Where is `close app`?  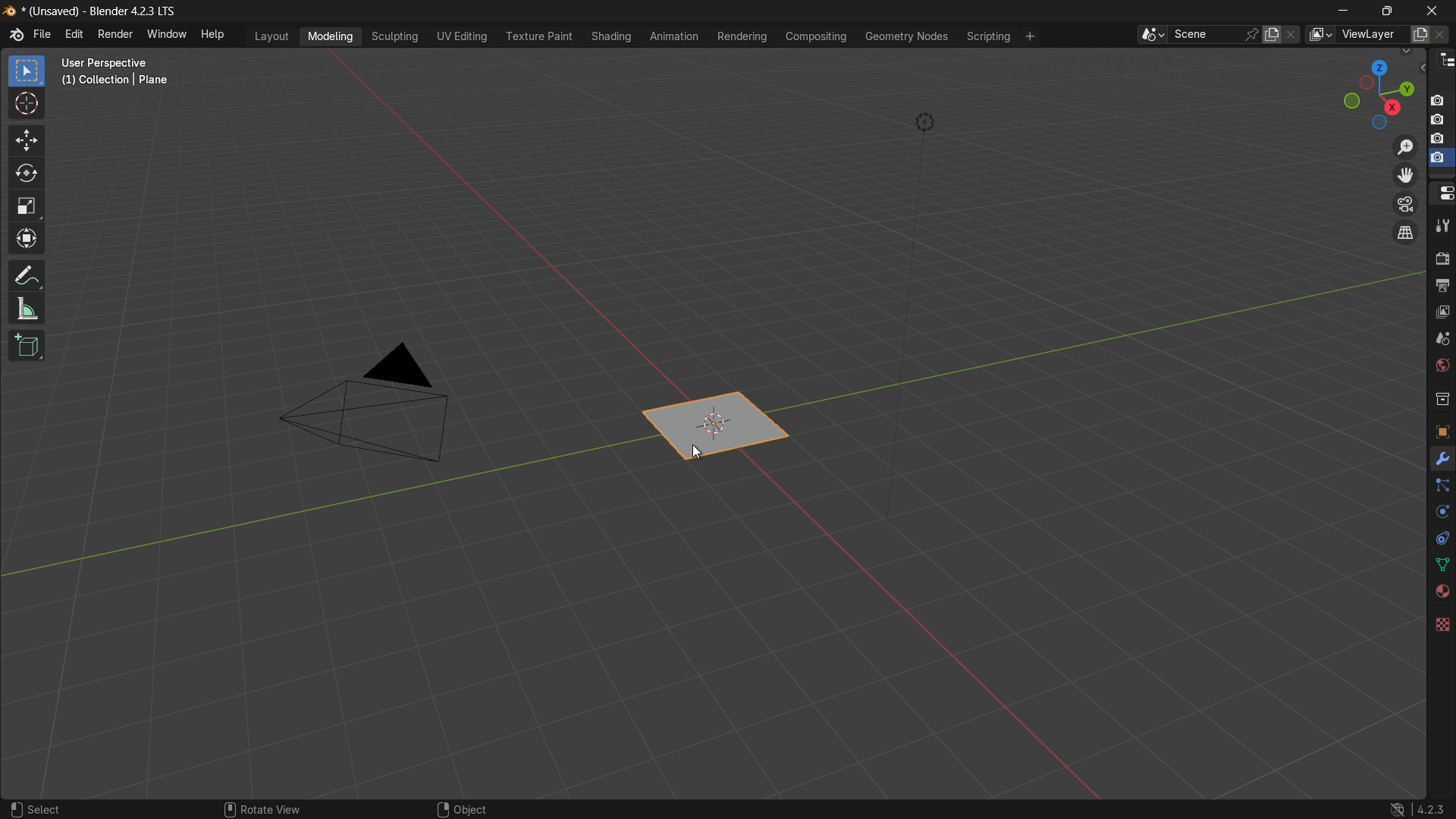 close app is located at coordinates (1434, 11).